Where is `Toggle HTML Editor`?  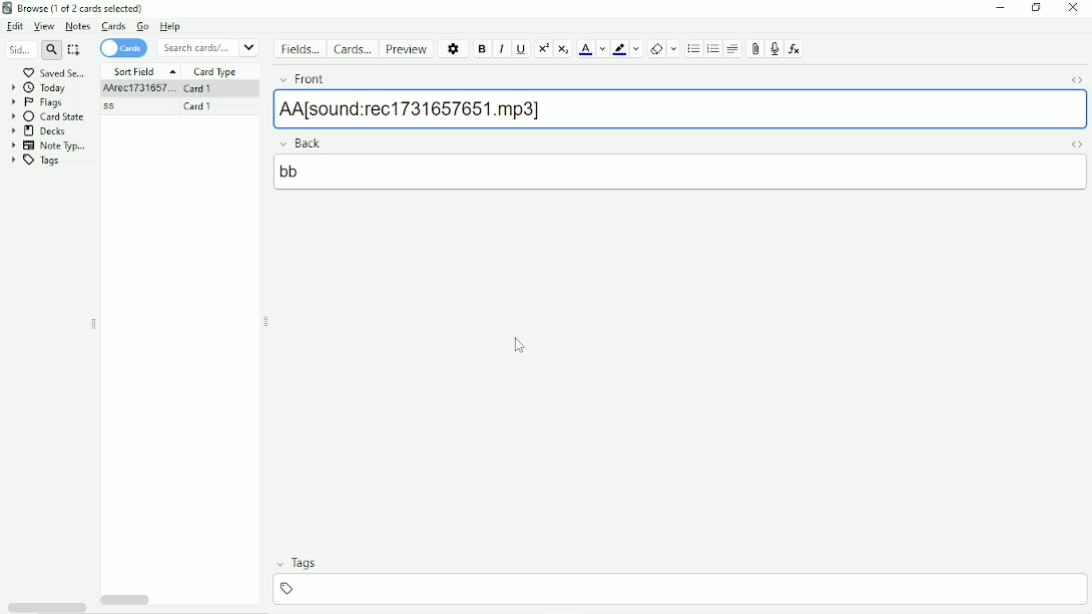 Toggle HTML Editor is located at coordinates (1074, 80).